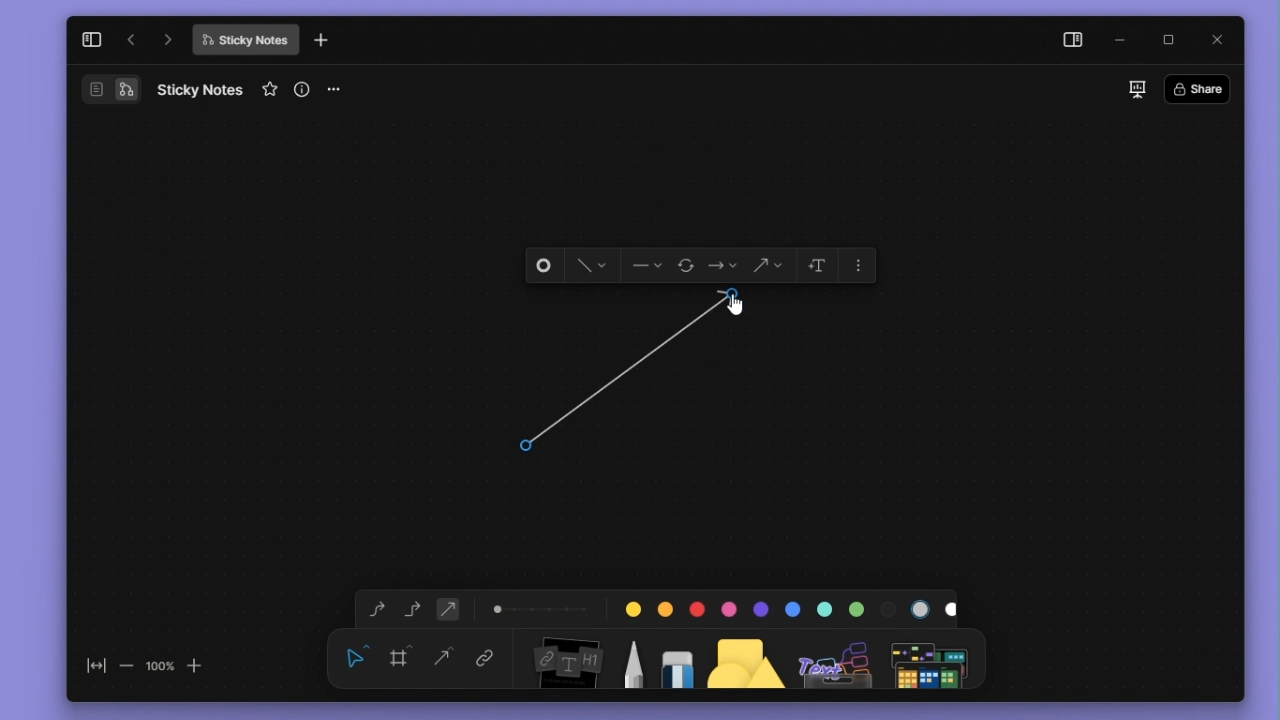 This screenshot has width=1280, height=720. Describe the element at coordinates (413, 607) in the screenshot. I see `elbowed` at that location.